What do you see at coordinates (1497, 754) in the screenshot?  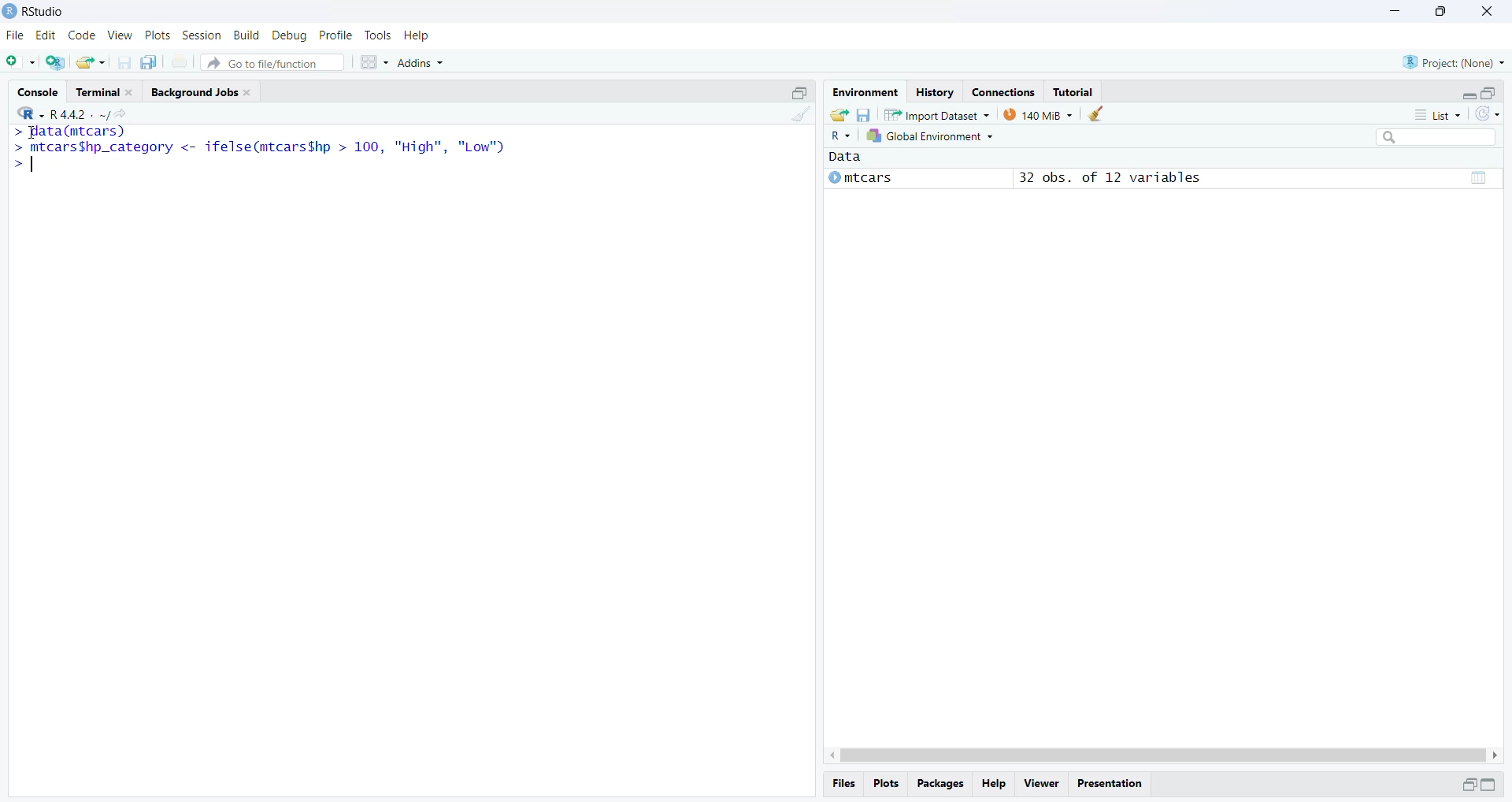 I see `Right` at bounding box center [1497, 754].